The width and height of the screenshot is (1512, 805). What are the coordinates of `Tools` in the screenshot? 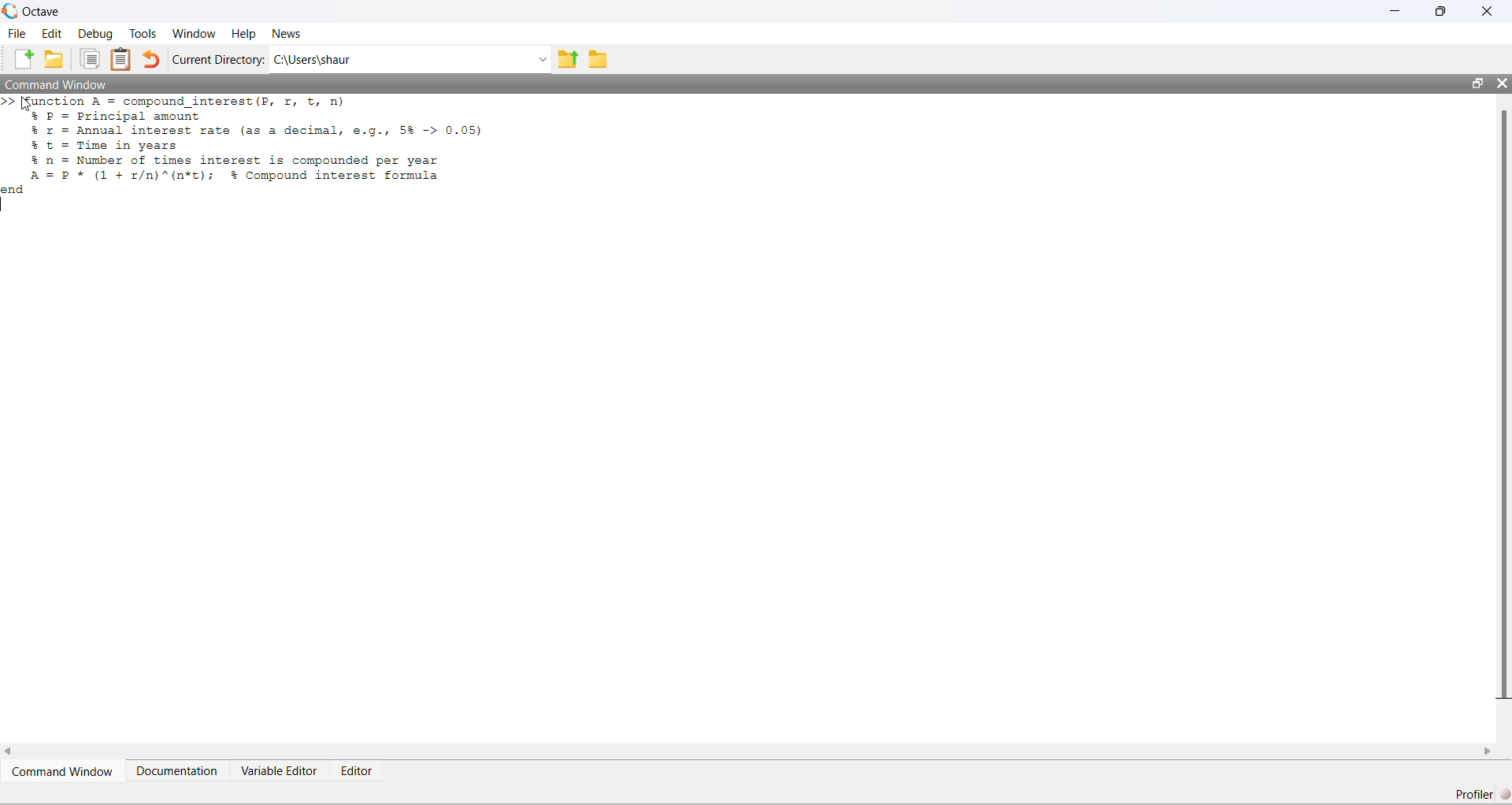 It's located at (143, 33).